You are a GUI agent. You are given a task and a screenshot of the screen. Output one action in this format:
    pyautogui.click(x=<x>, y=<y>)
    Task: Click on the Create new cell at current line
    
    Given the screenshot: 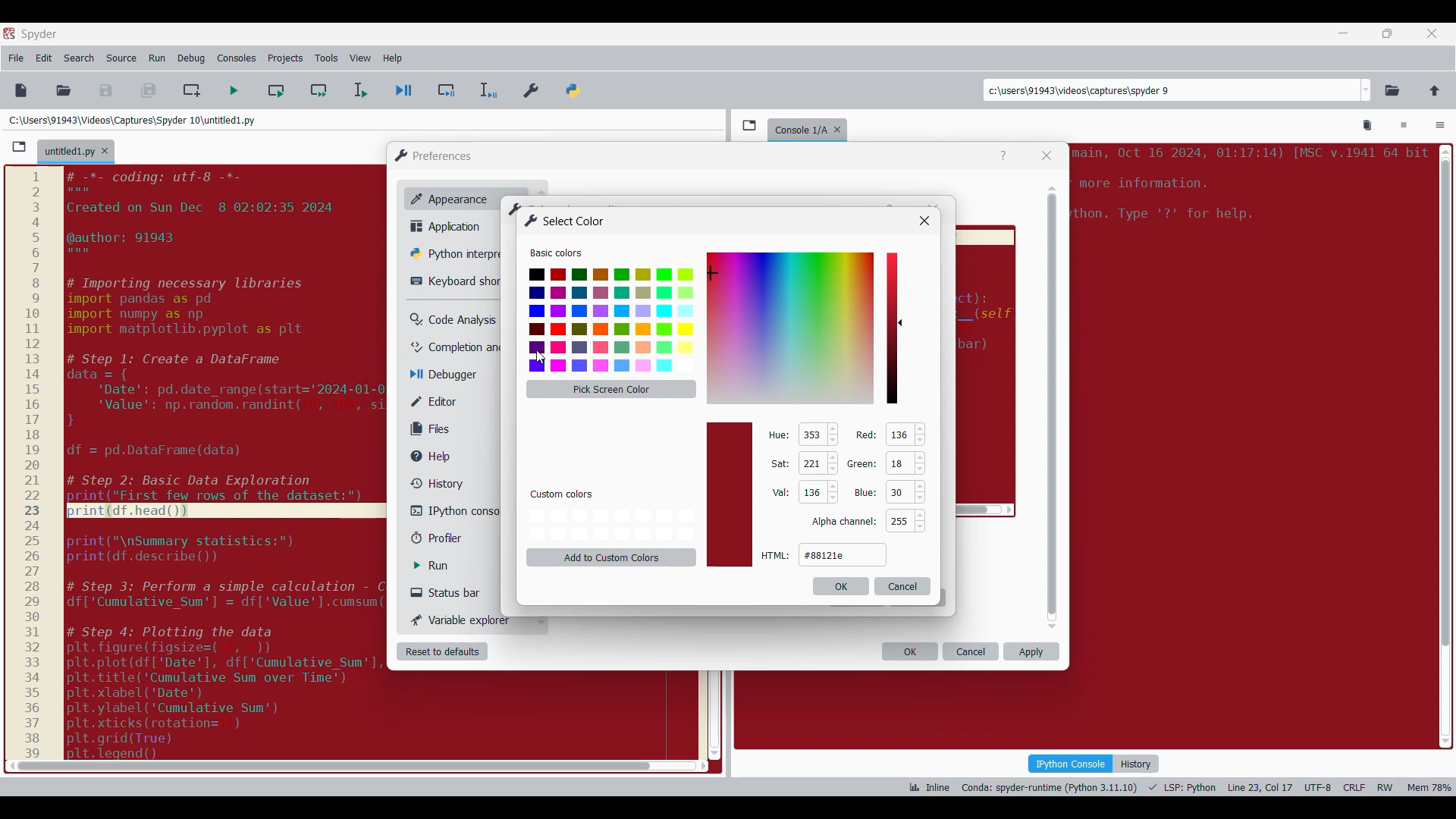 What is the action you would take?
    pyautogui.click(x=192, y=90)
    